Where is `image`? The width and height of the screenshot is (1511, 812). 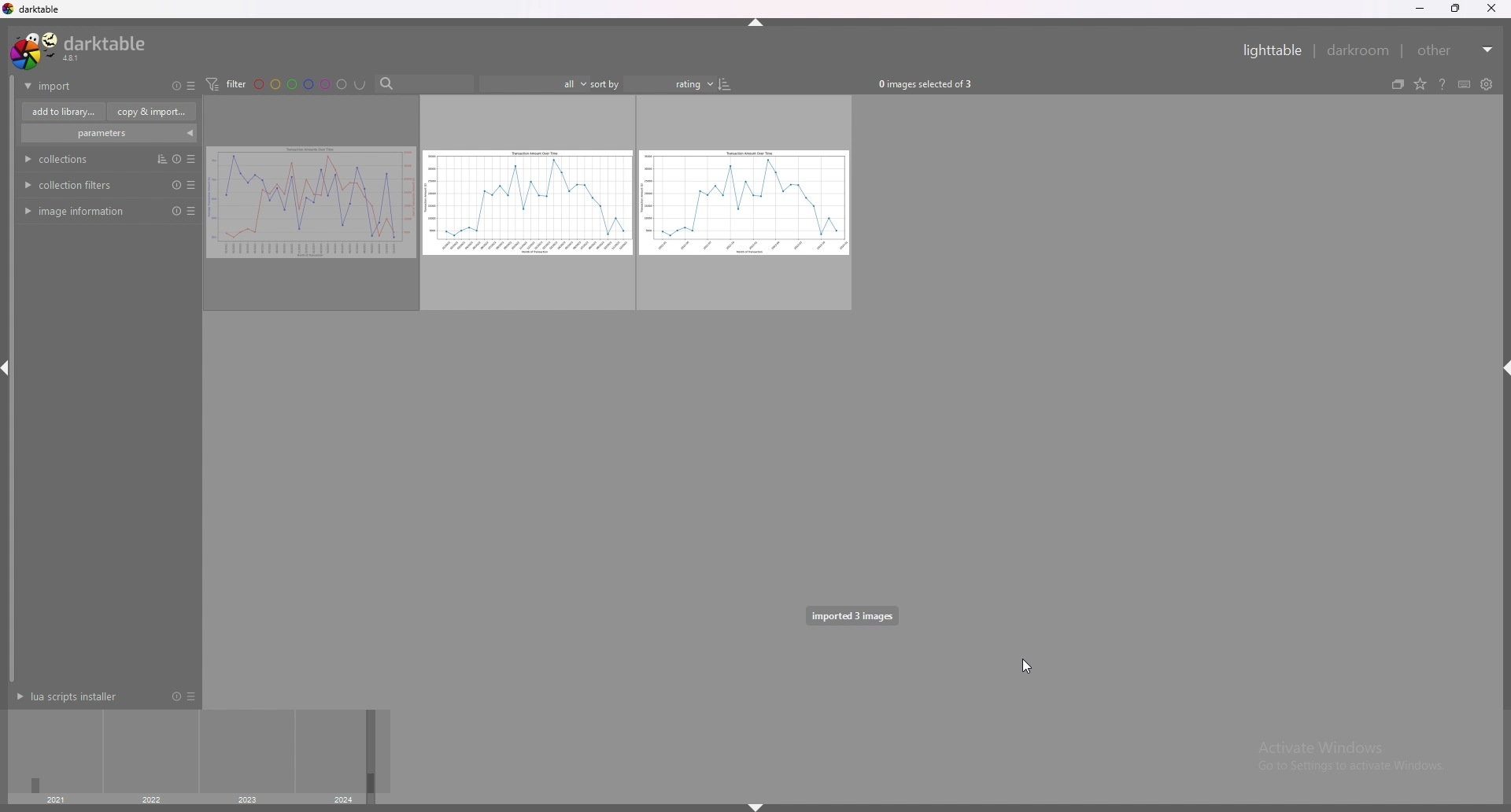
image is located at coordinates (526, 204).